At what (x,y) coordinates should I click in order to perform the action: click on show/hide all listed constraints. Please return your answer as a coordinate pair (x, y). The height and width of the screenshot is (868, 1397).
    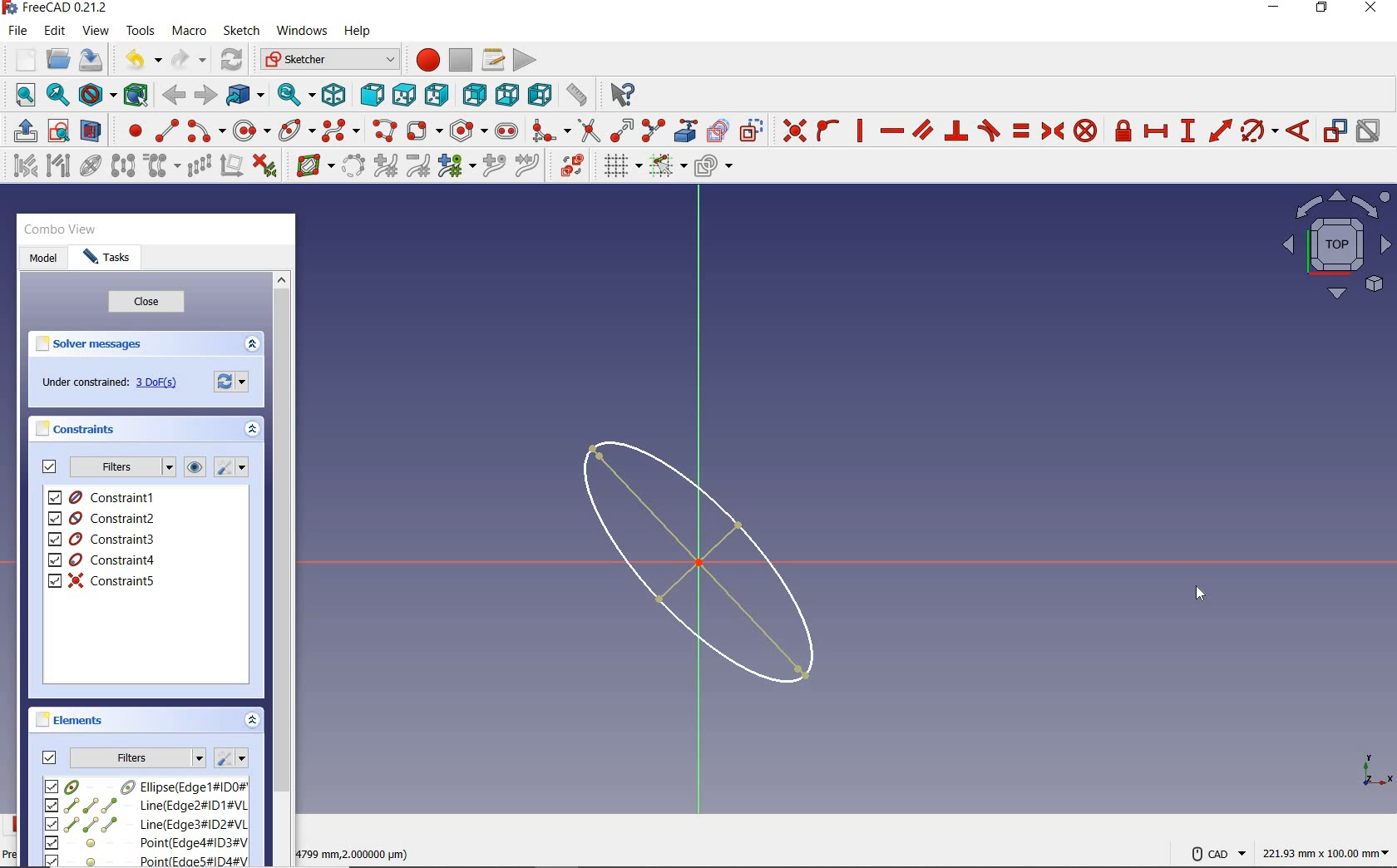
    Looking at the image, I should click on (192, 468).